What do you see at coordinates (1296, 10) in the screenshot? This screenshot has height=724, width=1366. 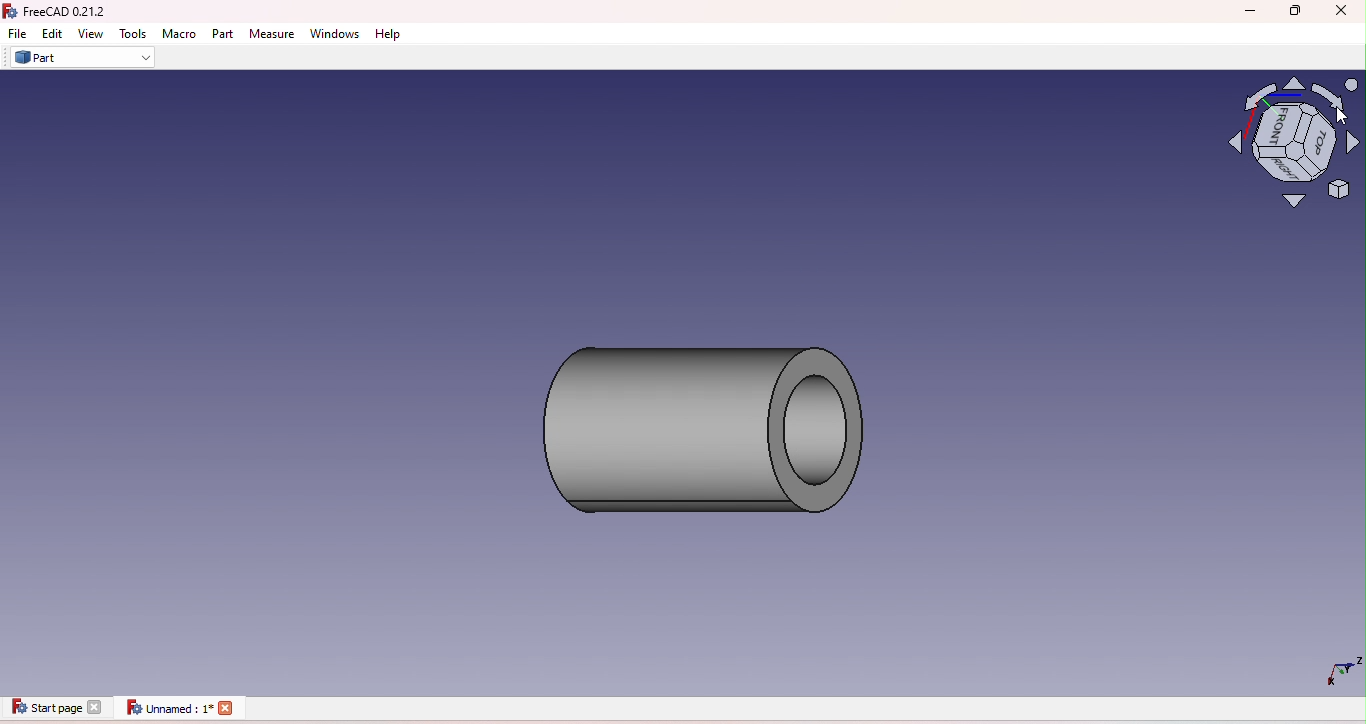 I see `Maximize` at bounding box center [1296, 10].